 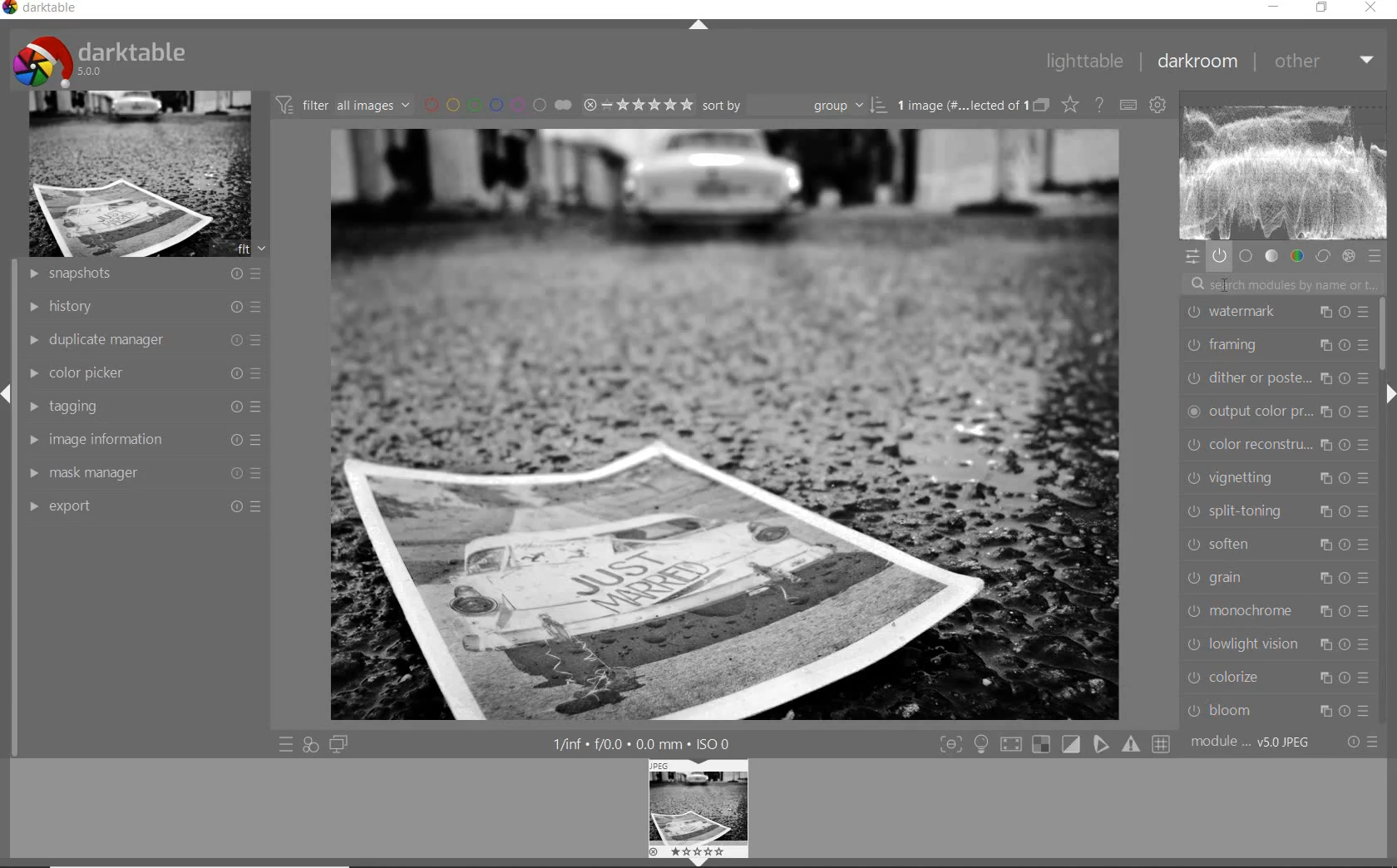 I want to click on show only active module, so click(x=1220, y=257).